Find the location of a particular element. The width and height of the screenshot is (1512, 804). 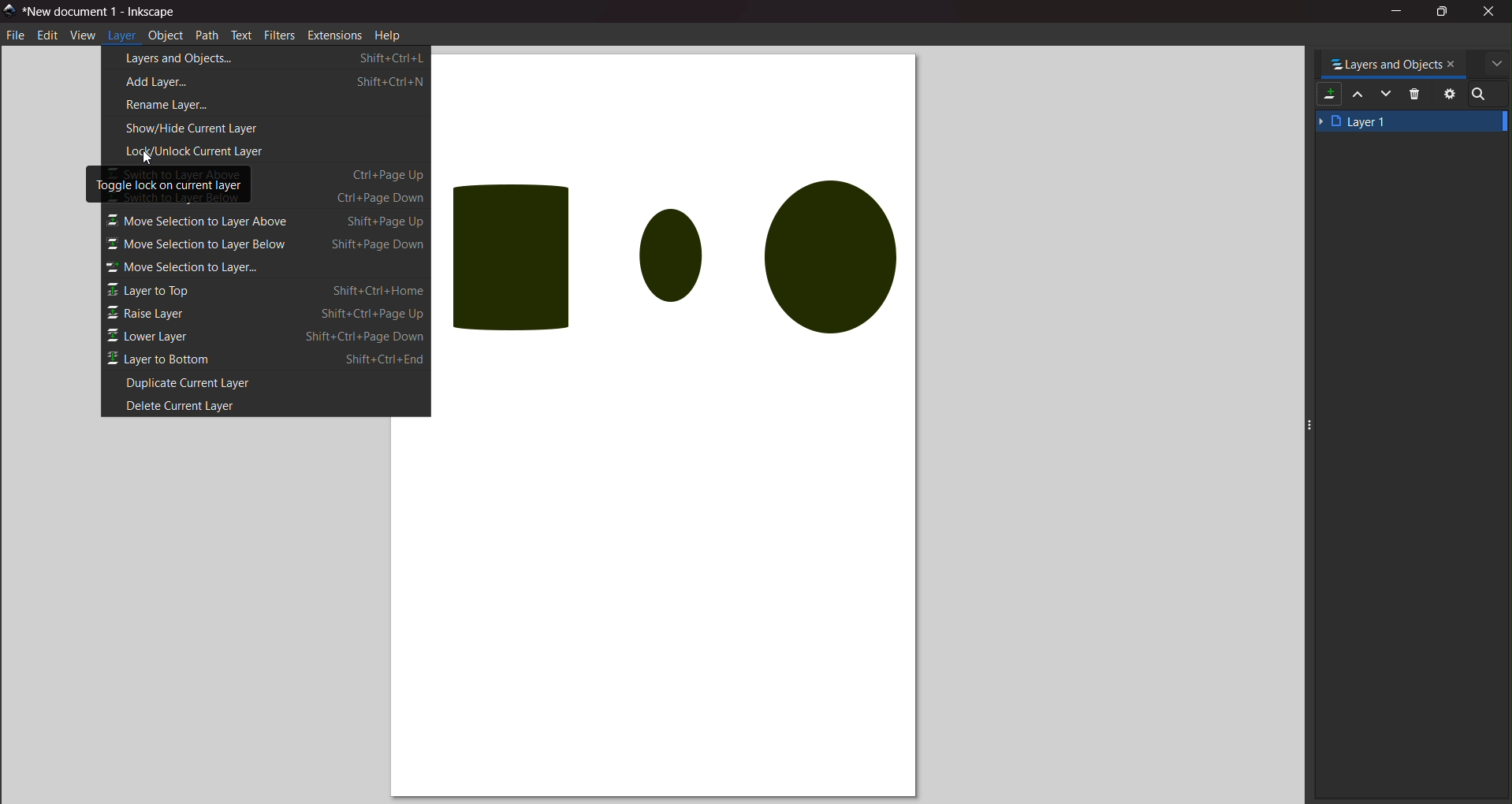

maximize is located at coordinates (1445, 11).